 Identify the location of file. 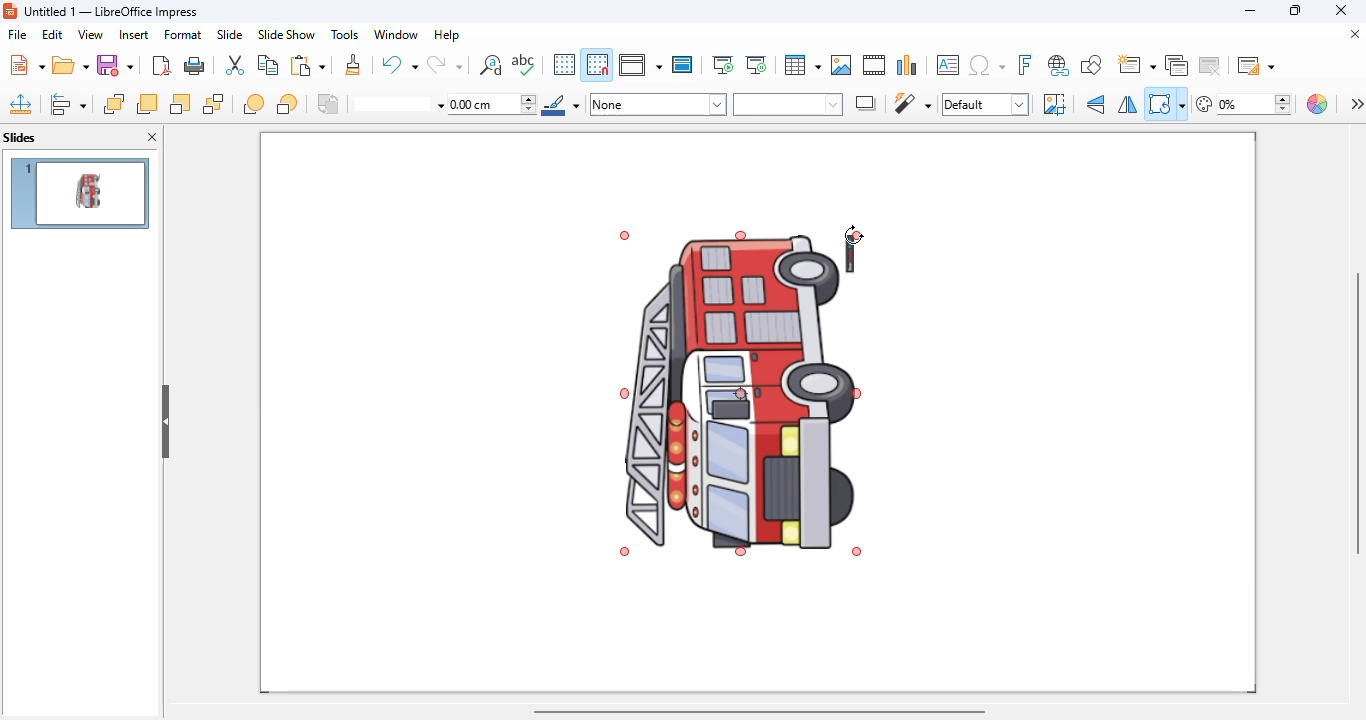
(18, 34).